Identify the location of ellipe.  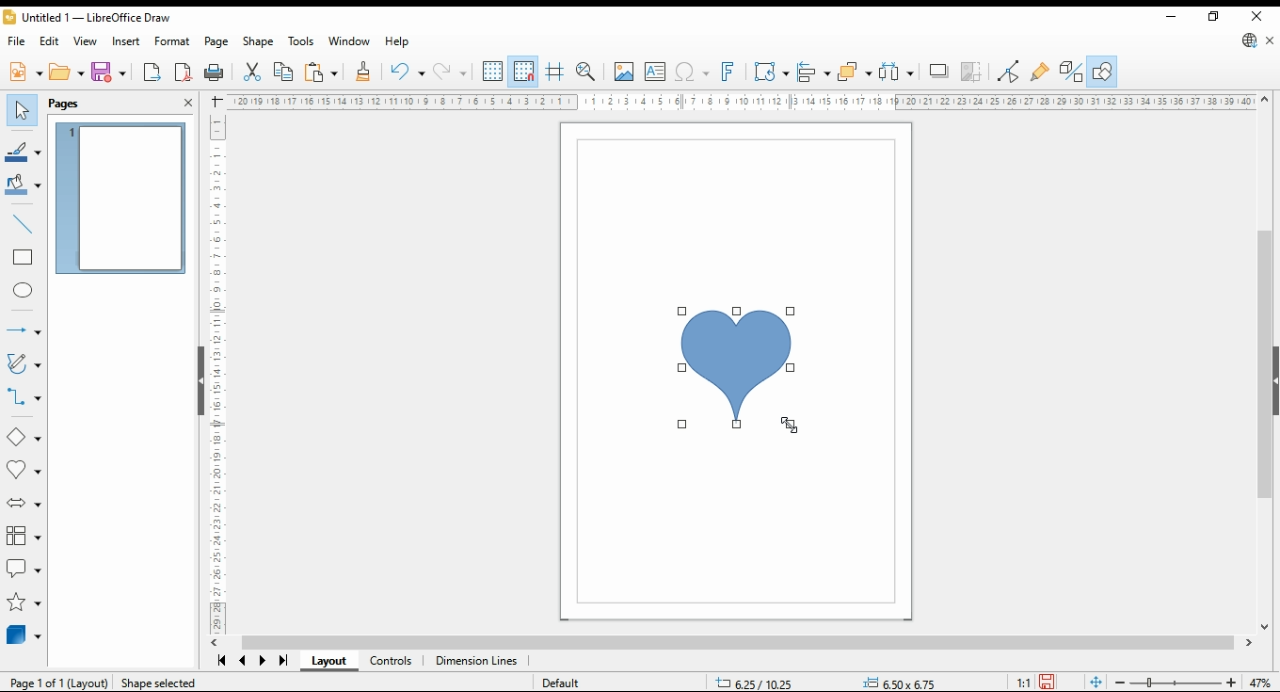
(24, 291).